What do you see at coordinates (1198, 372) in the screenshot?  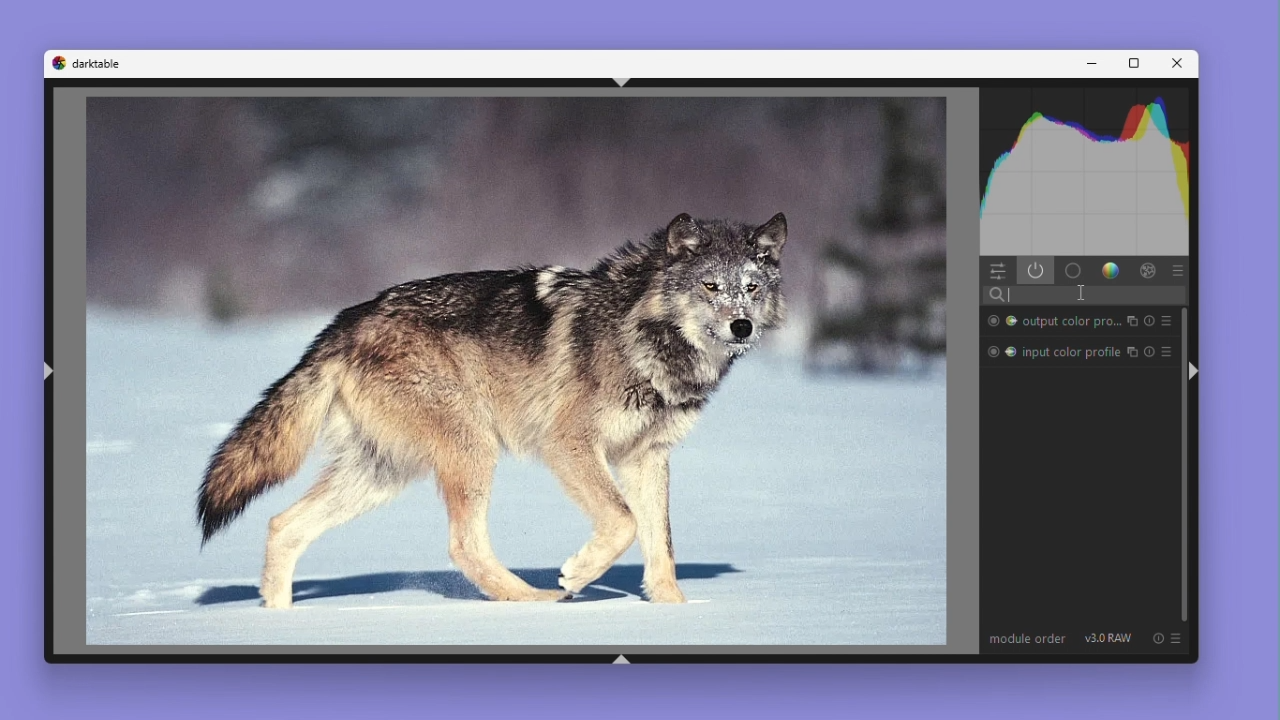 I see `shift+ctrl+r` at bounding box center [1198, 372].